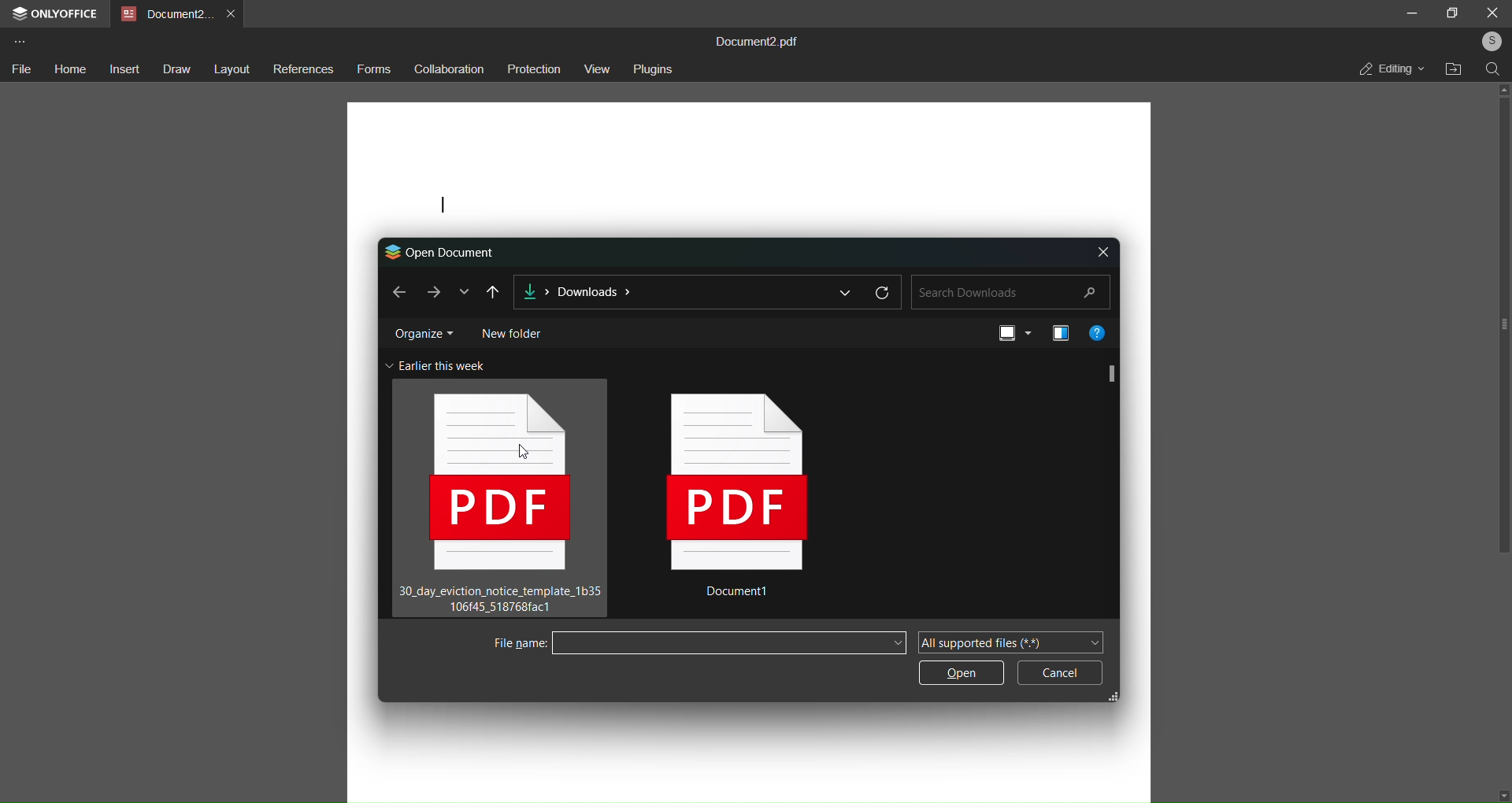  I want to click on search, so click(1010, 291).